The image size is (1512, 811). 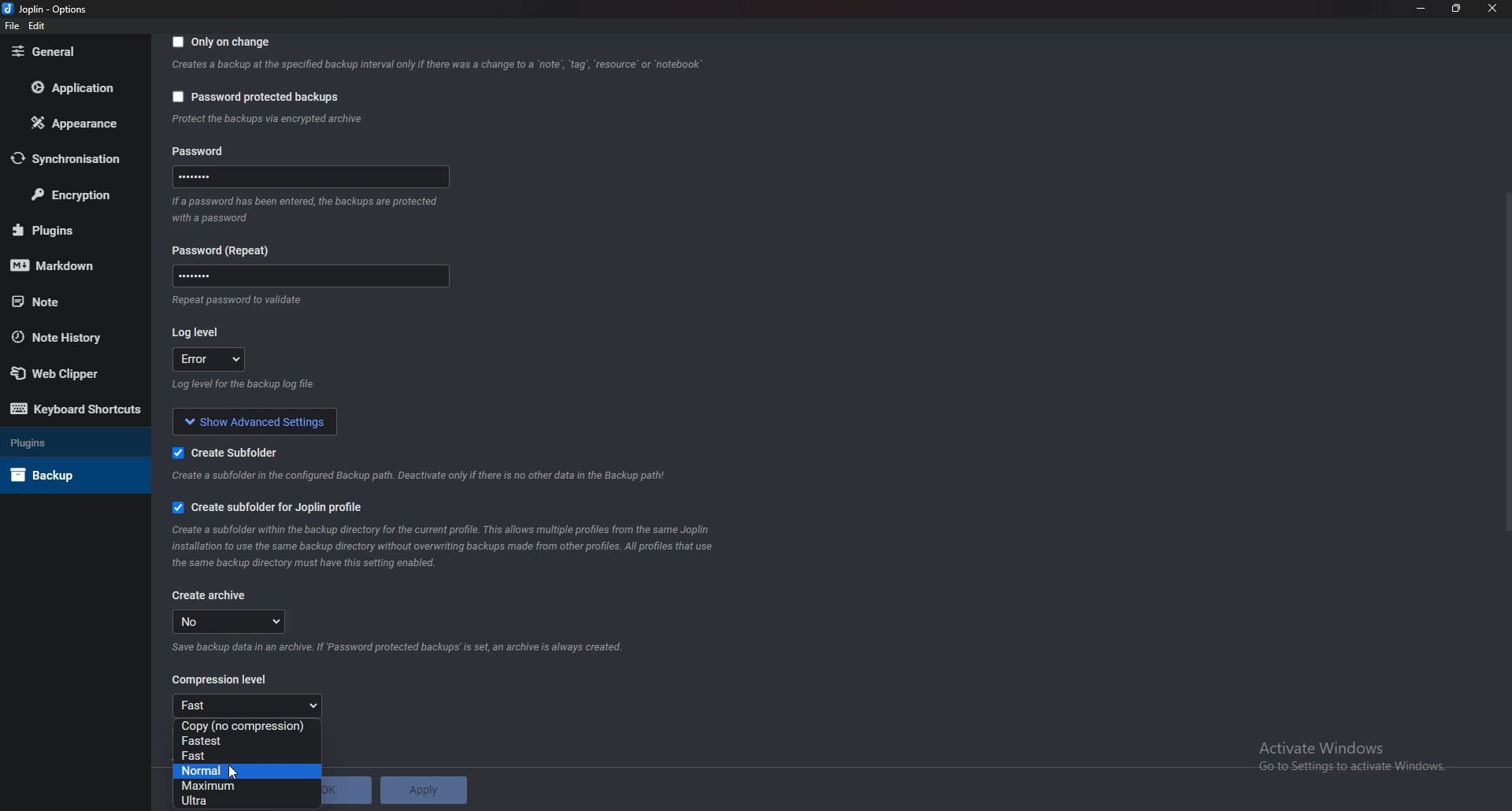 I want to click on Log level, so click(x=198, y=330).